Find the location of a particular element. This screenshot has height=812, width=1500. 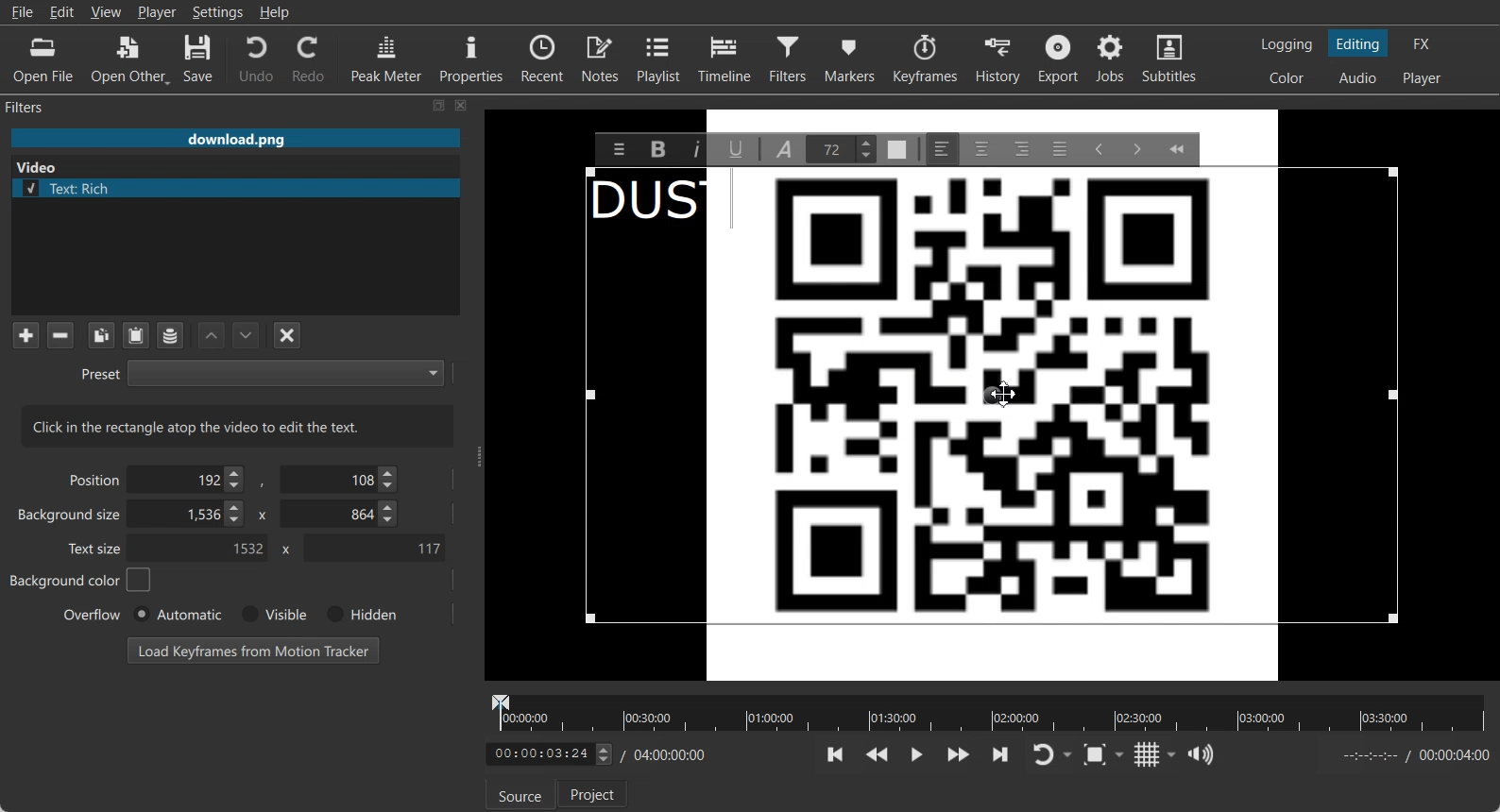

Toggle play is located at coordinates (917, 754).